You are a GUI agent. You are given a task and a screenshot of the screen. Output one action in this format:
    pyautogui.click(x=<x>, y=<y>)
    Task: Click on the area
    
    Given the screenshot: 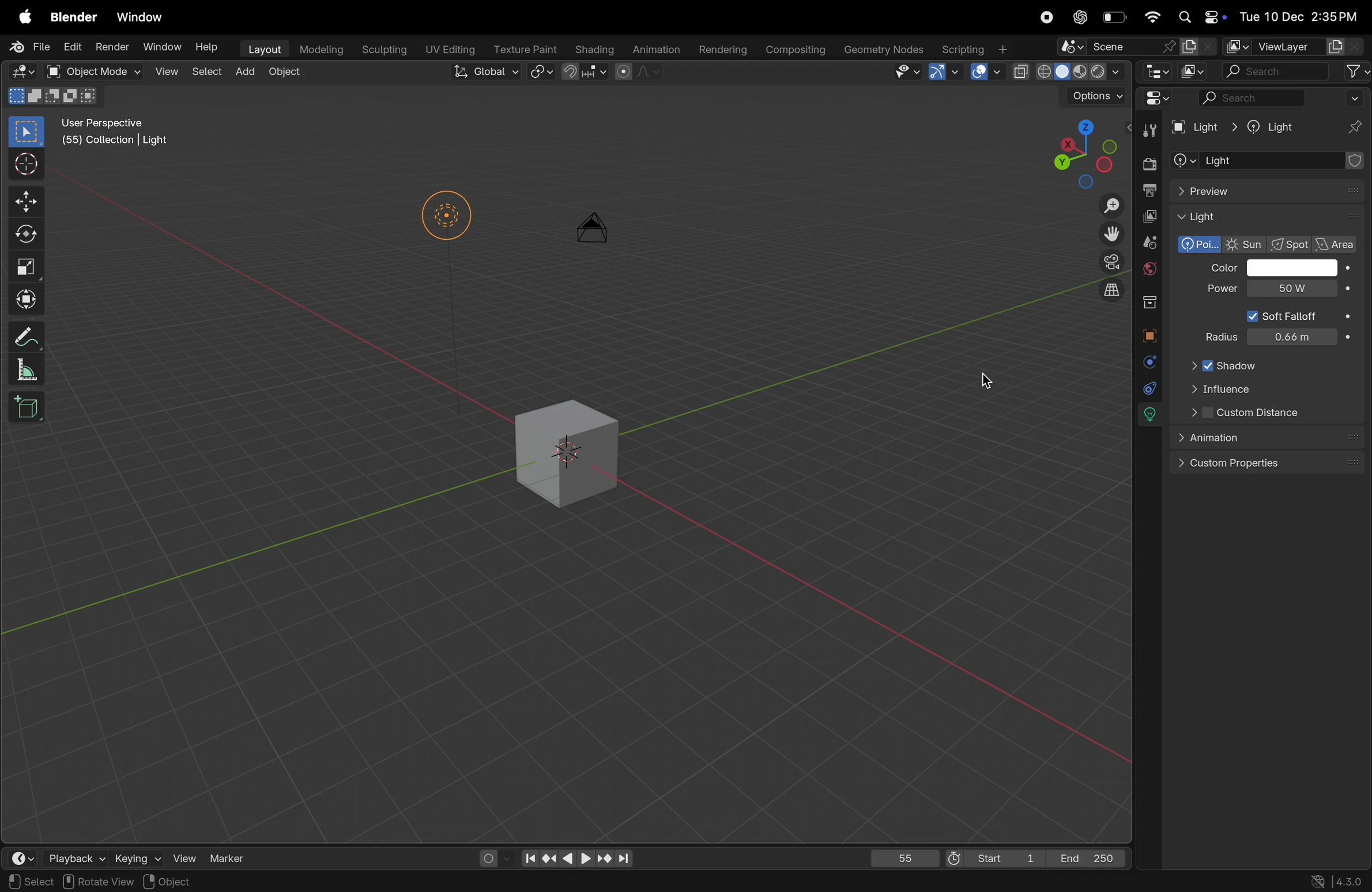 What is the action you would take?
    pyautogui.click(x=1339, y=243)
    